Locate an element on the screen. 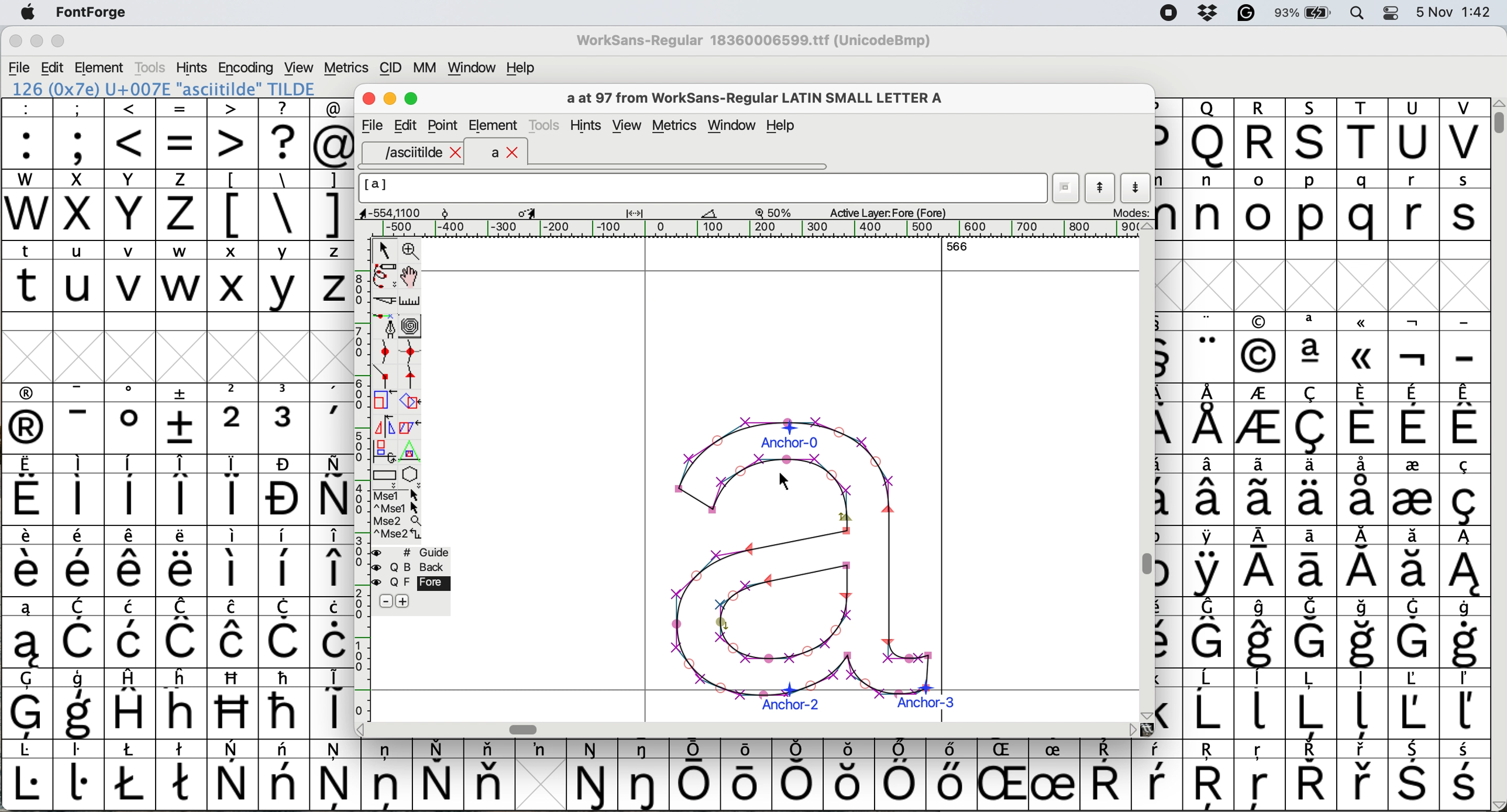 This screenshot has width=1507, height=812. symbol is located at coordinates (593, 776).